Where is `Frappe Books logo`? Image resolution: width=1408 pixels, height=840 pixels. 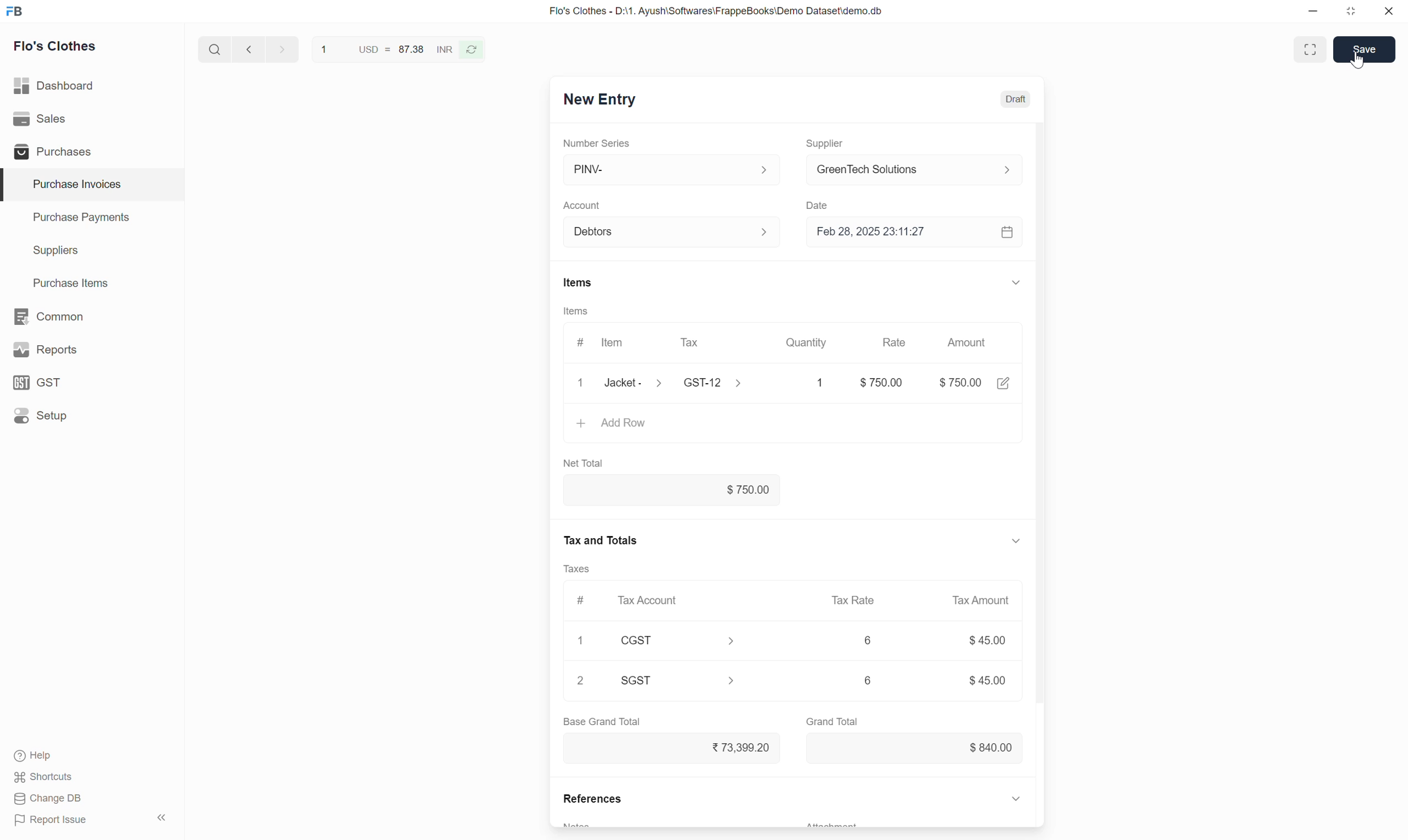 Frappe Books logo is located at coordinates (14, 11).